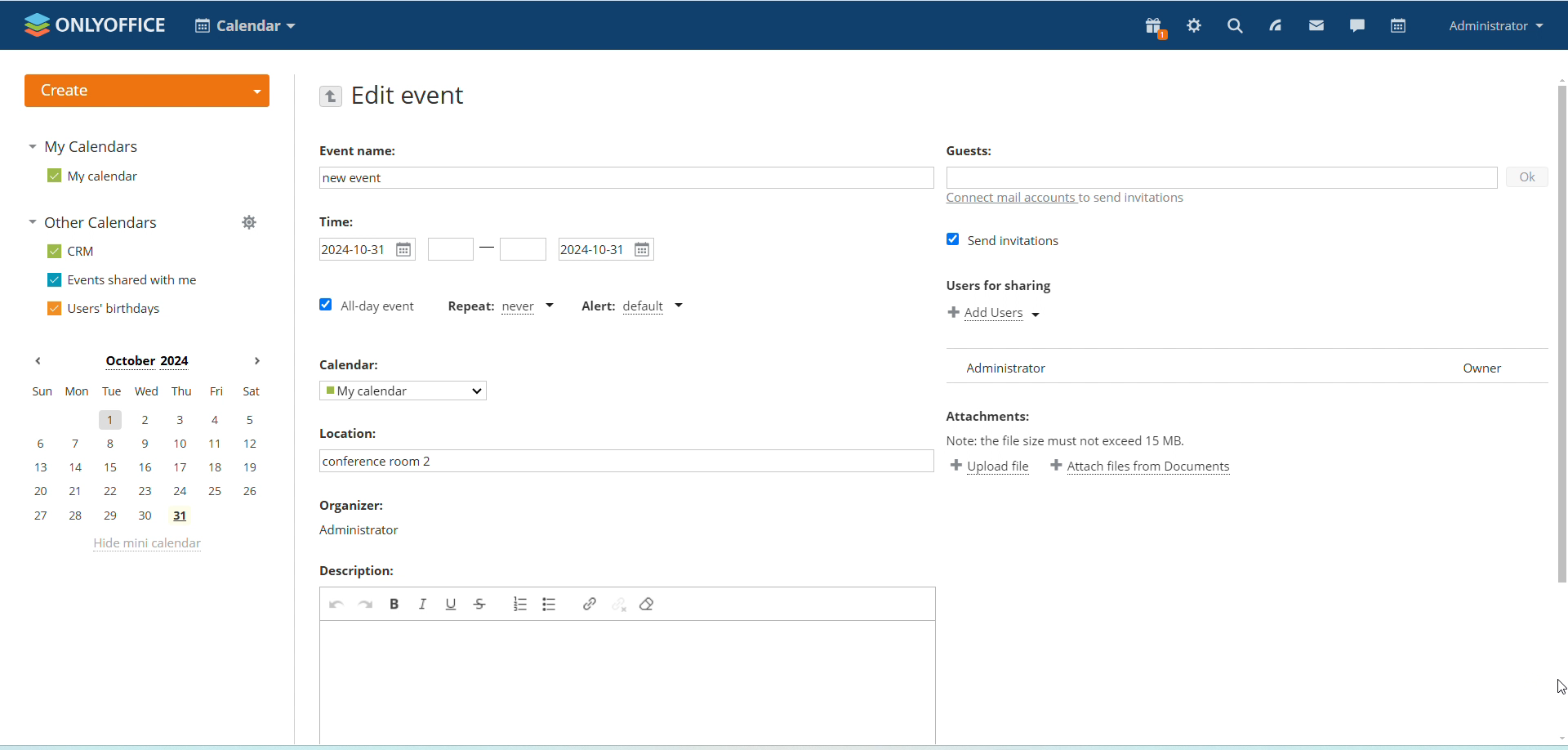 The image size is (1568, 750). Describe the element at coordinates (248, 225) in the screenshot. I see `manage` at that location.